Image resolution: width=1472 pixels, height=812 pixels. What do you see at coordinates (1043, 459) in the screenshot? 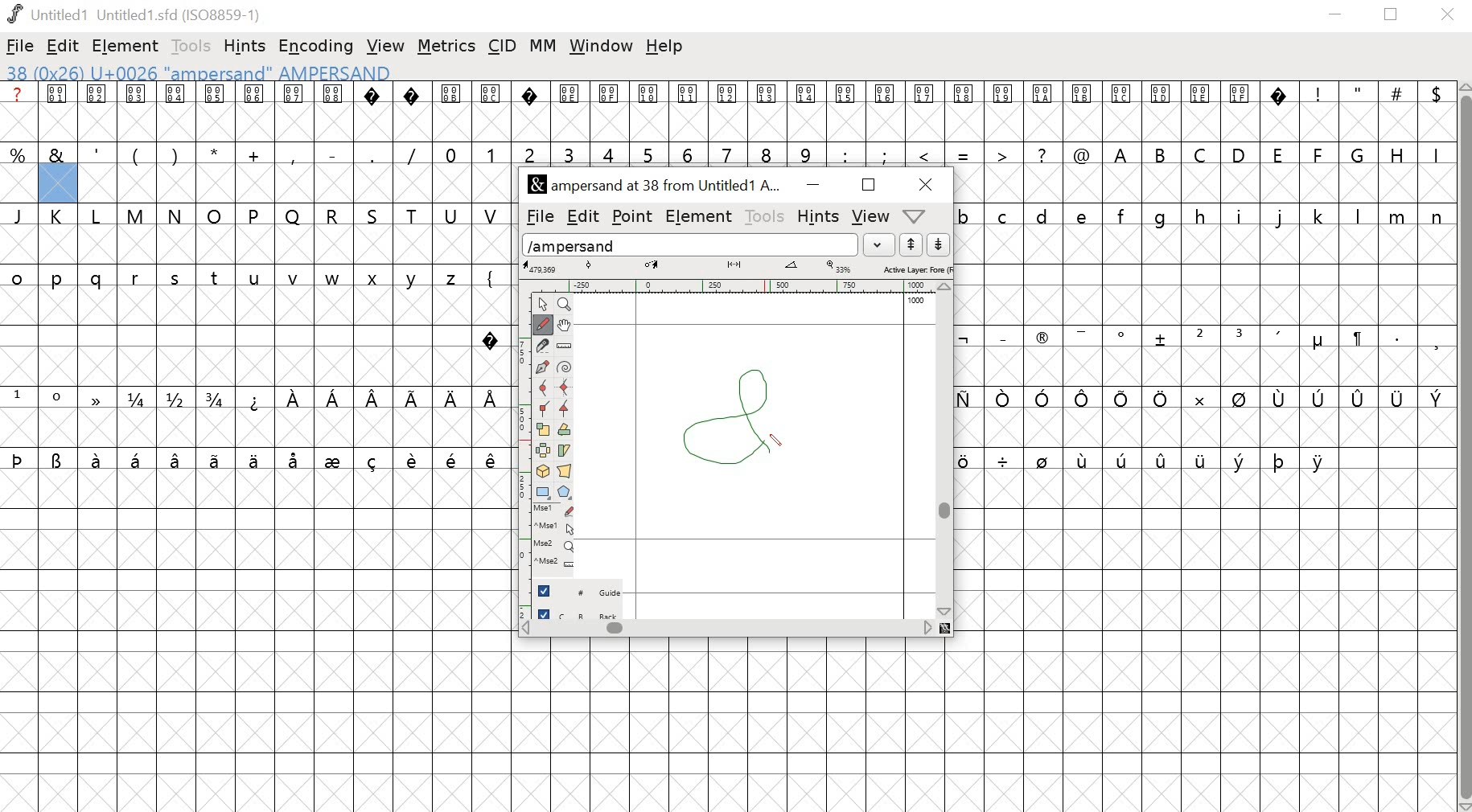
I see `symbol` at bounding box center [1043, 459].